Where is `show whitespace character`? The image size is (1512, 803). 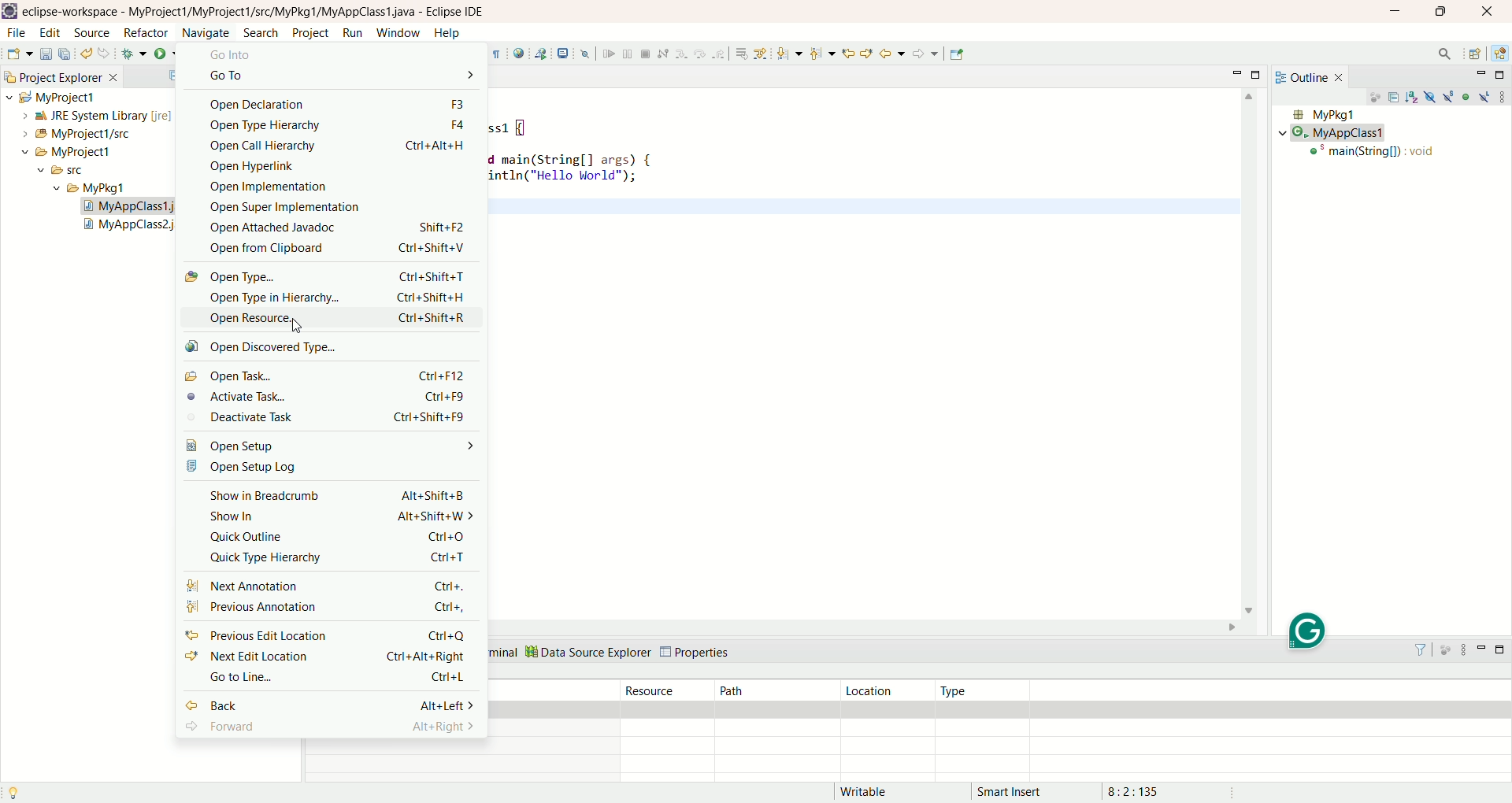
show whitespace character is located at coordinates (497, 55).